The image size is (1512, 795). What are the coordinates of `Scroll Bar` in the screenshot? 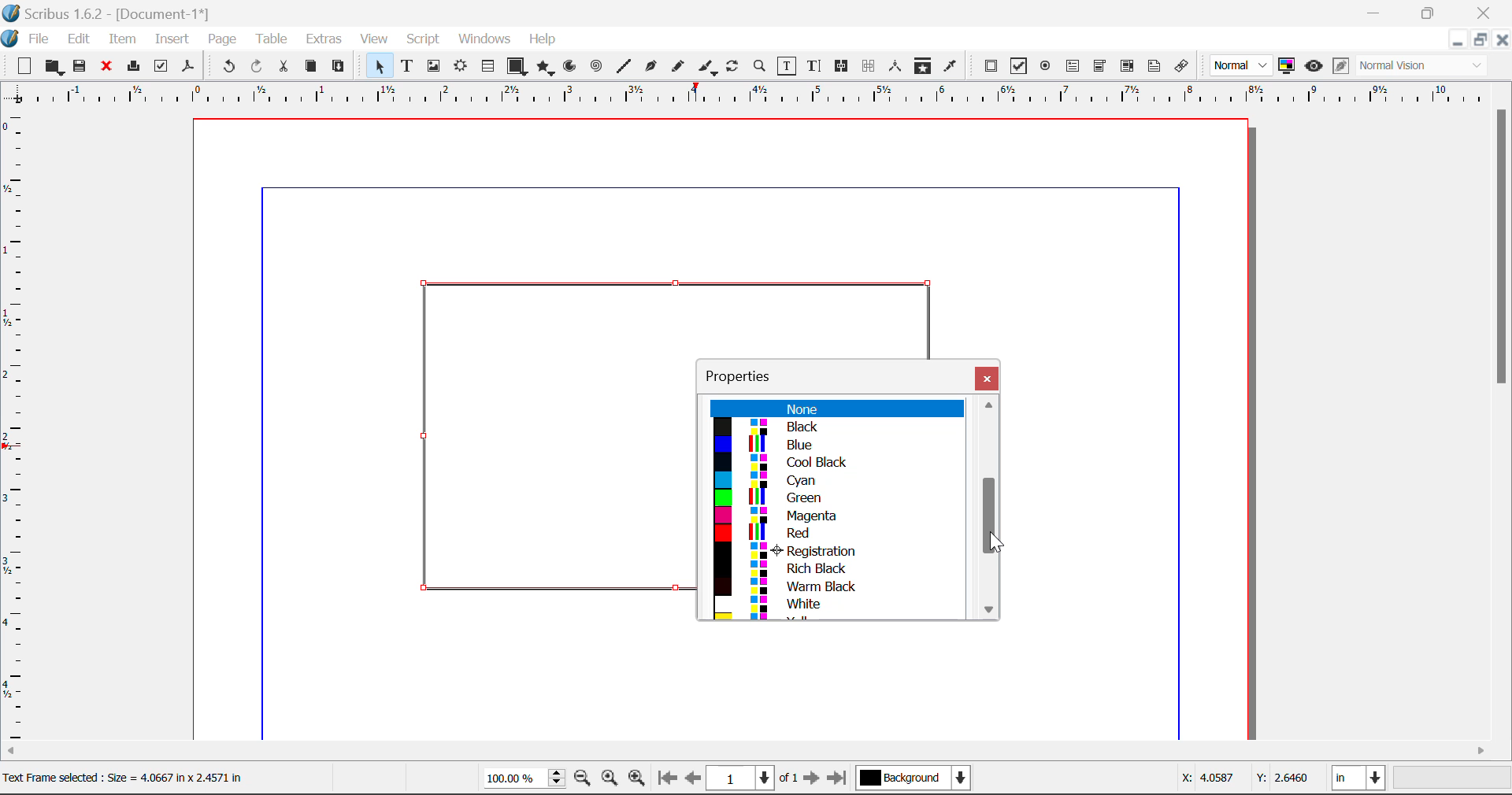 It's located at (984, 508).